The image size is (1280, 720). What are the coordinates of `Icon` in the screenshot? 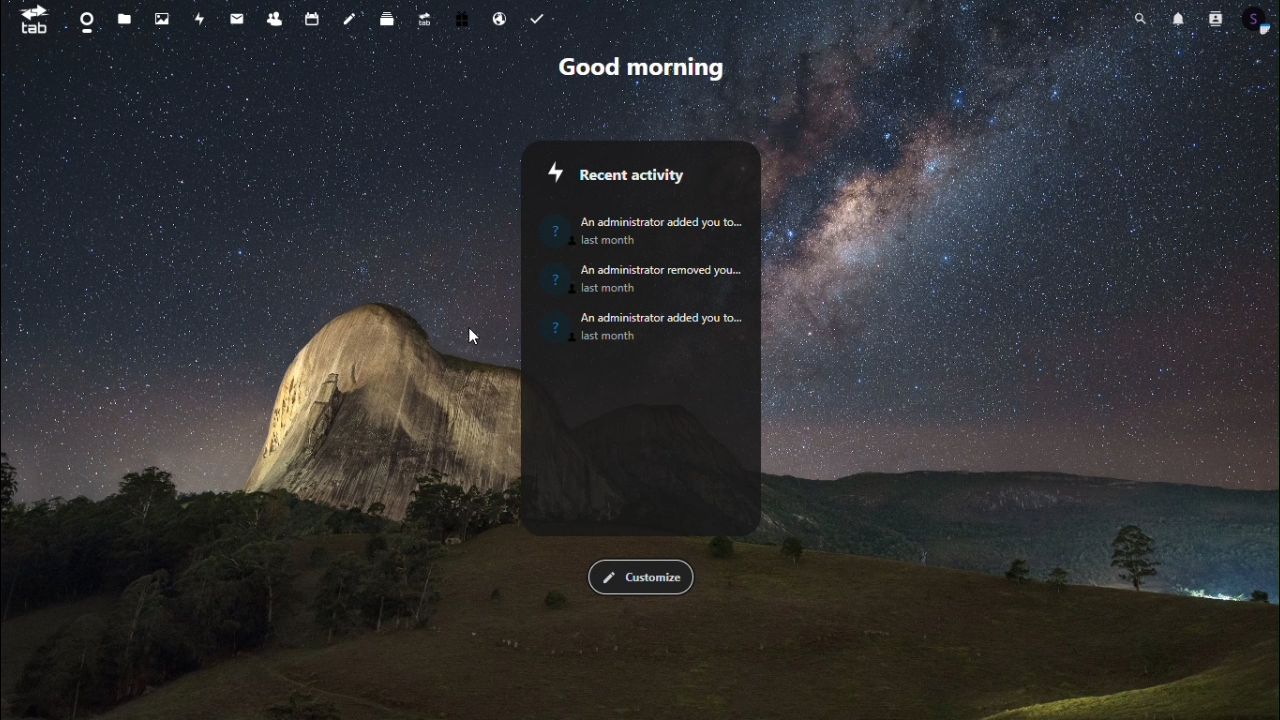 It's located at (551, 173).